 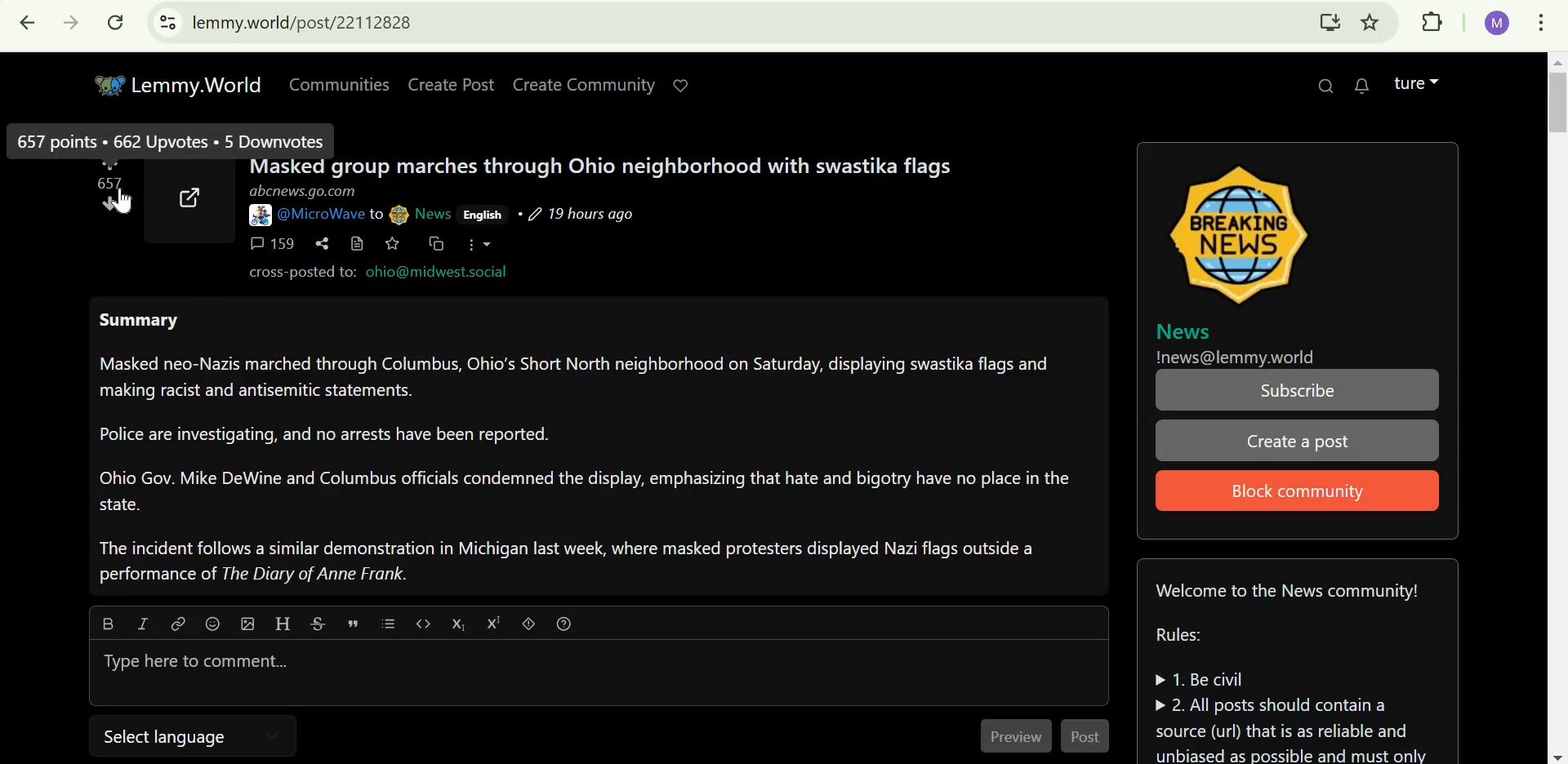 I want to click on upvote, so click(x=111, y=167).